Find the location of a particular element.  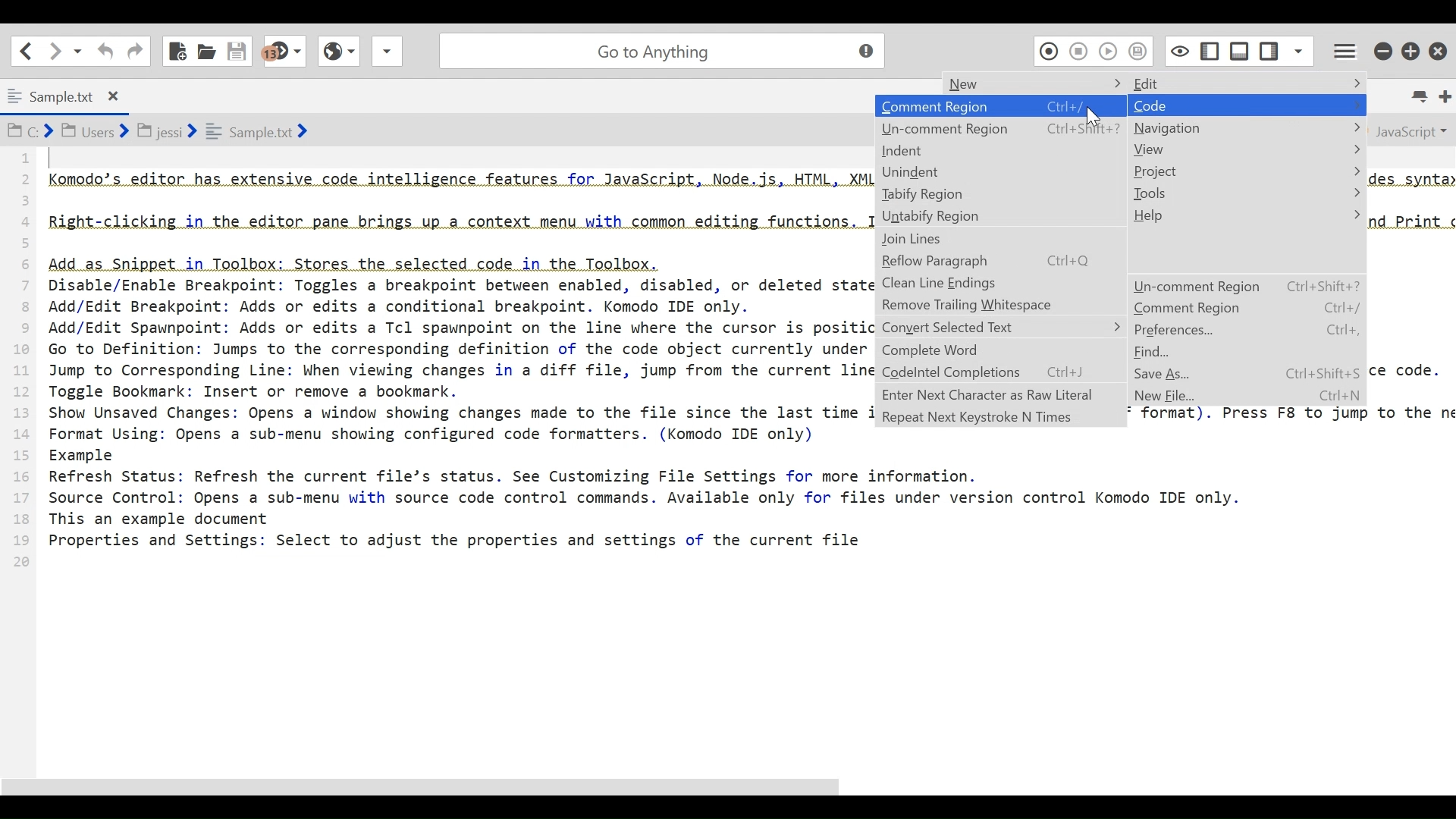

New File is located at coordinates (178, 49).